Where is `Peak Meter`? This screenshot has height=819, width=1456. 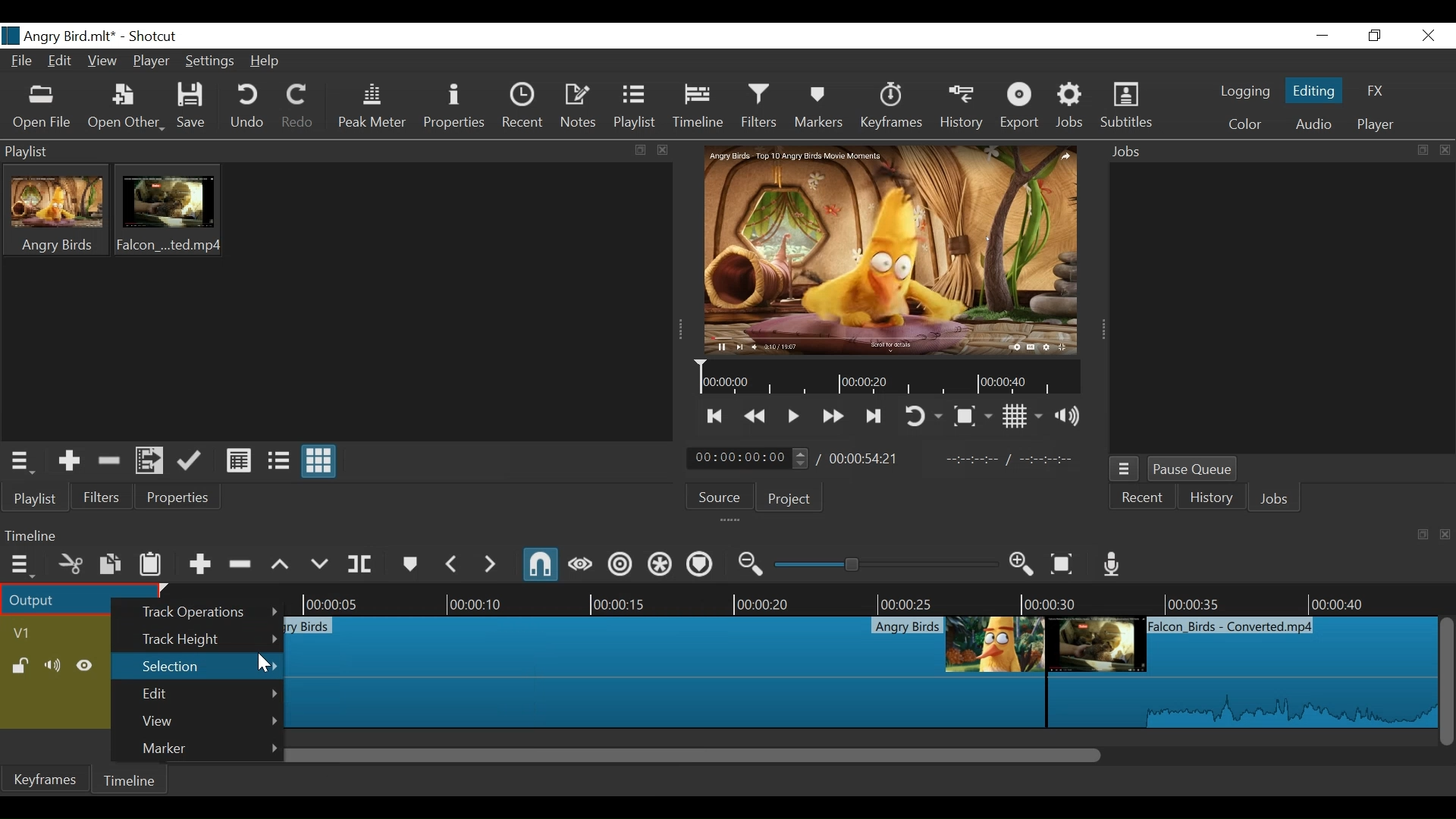 Peak Meter is located at coordinates (372, 108).